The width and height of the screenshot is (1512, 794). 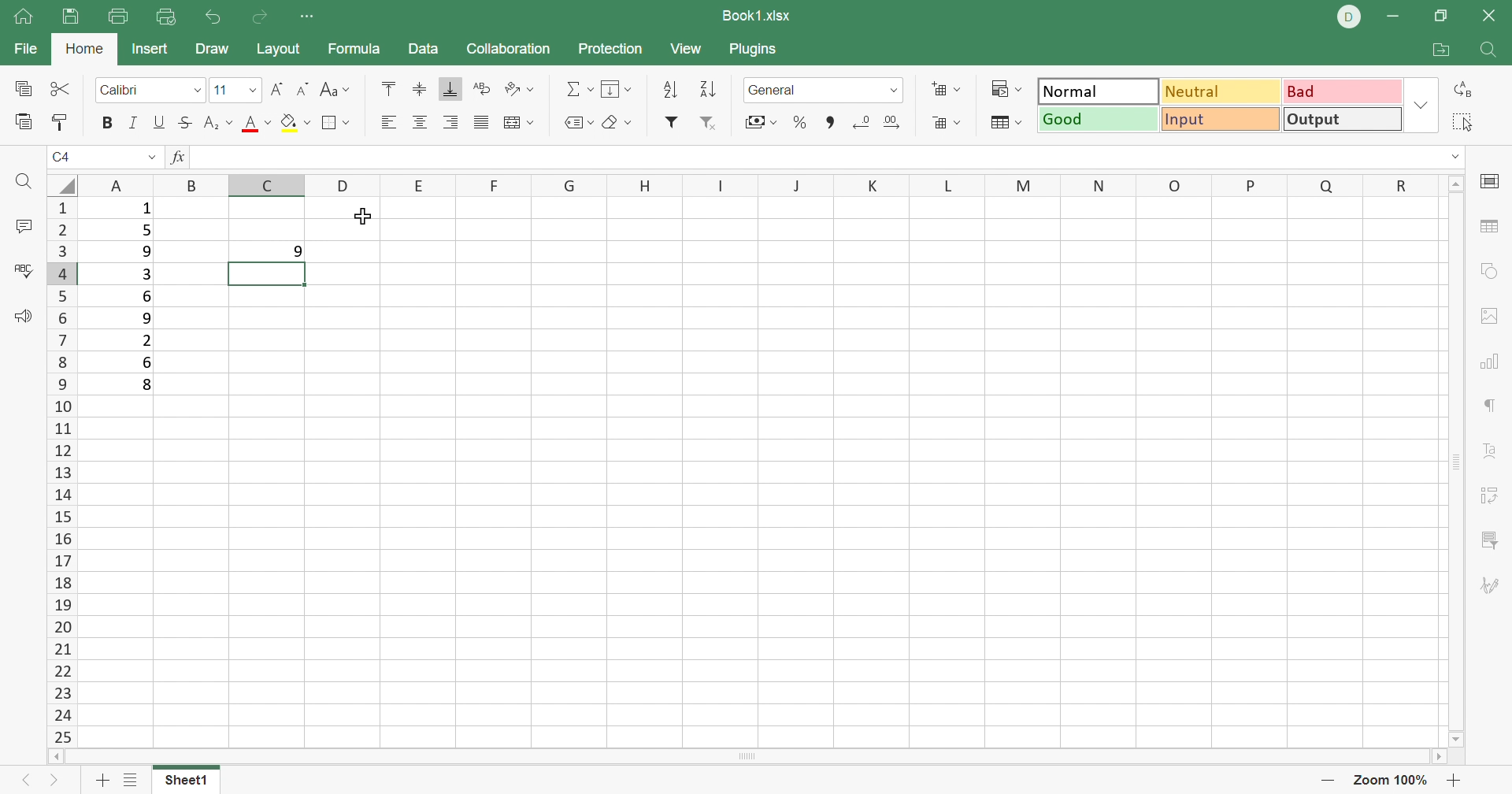 I want to click on Protection, so click(x=609, y=47).